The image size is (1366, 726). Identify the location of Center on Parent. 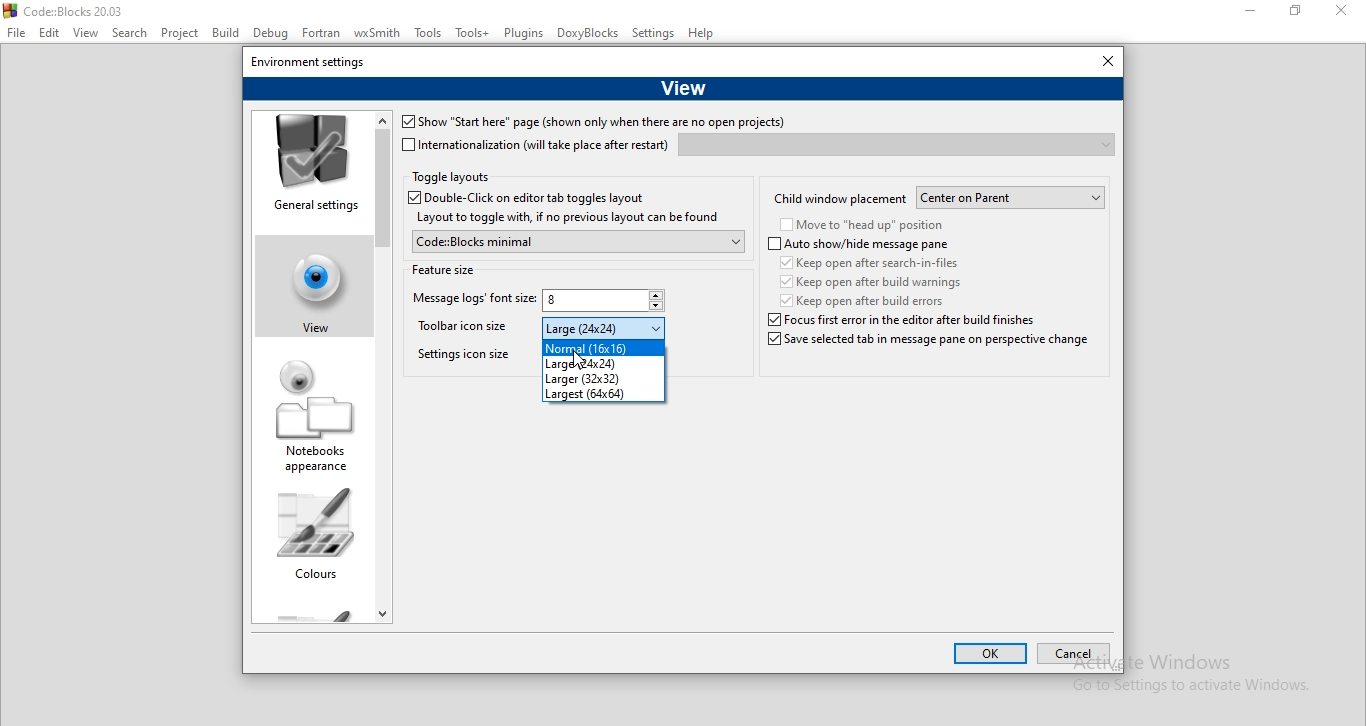
(1012, 198).